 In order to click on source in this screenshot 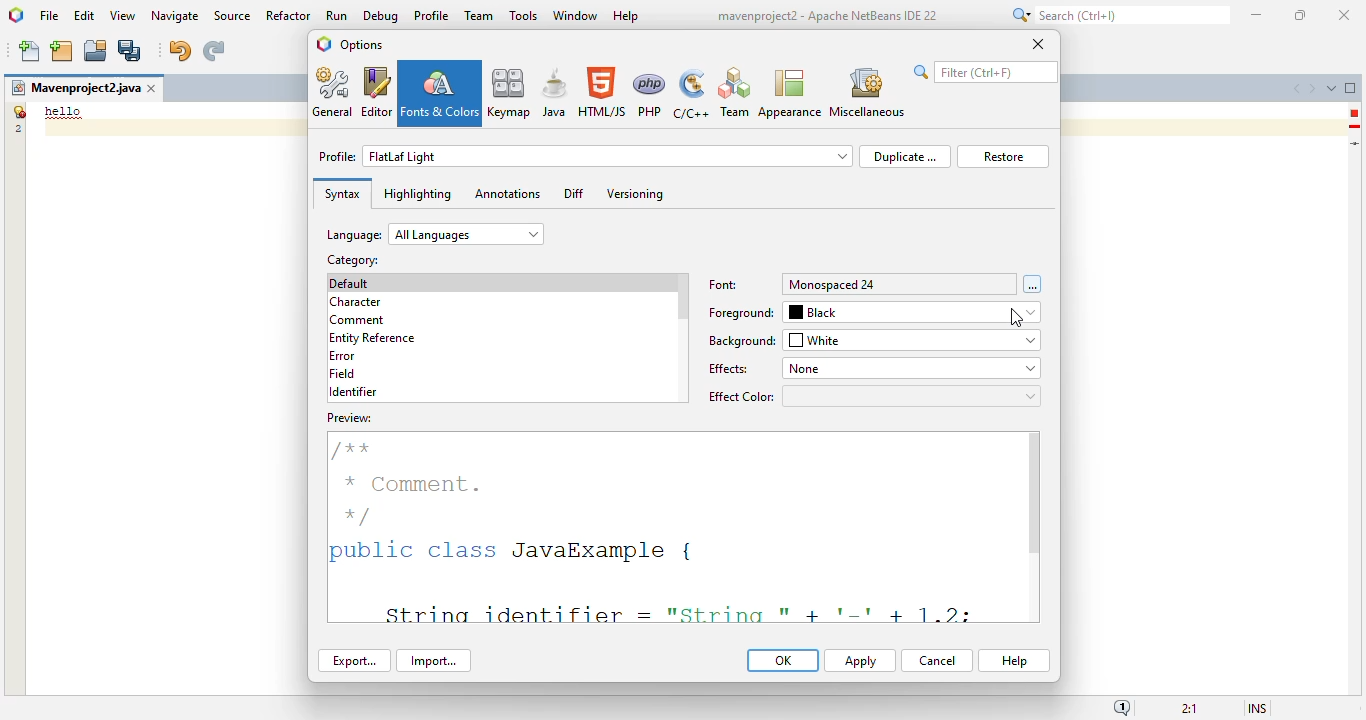, I will do `click(232, 16)`.